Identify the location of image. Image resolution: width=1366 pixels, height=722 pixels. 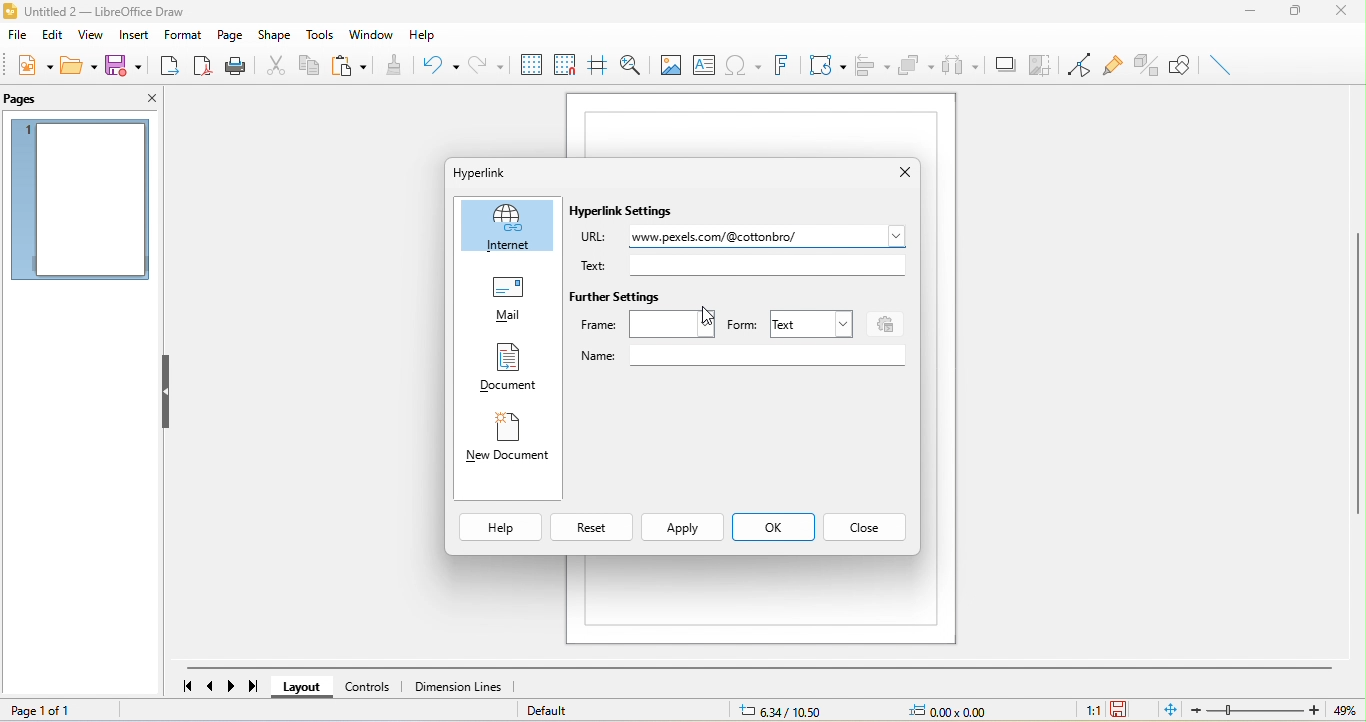
(670, 64).